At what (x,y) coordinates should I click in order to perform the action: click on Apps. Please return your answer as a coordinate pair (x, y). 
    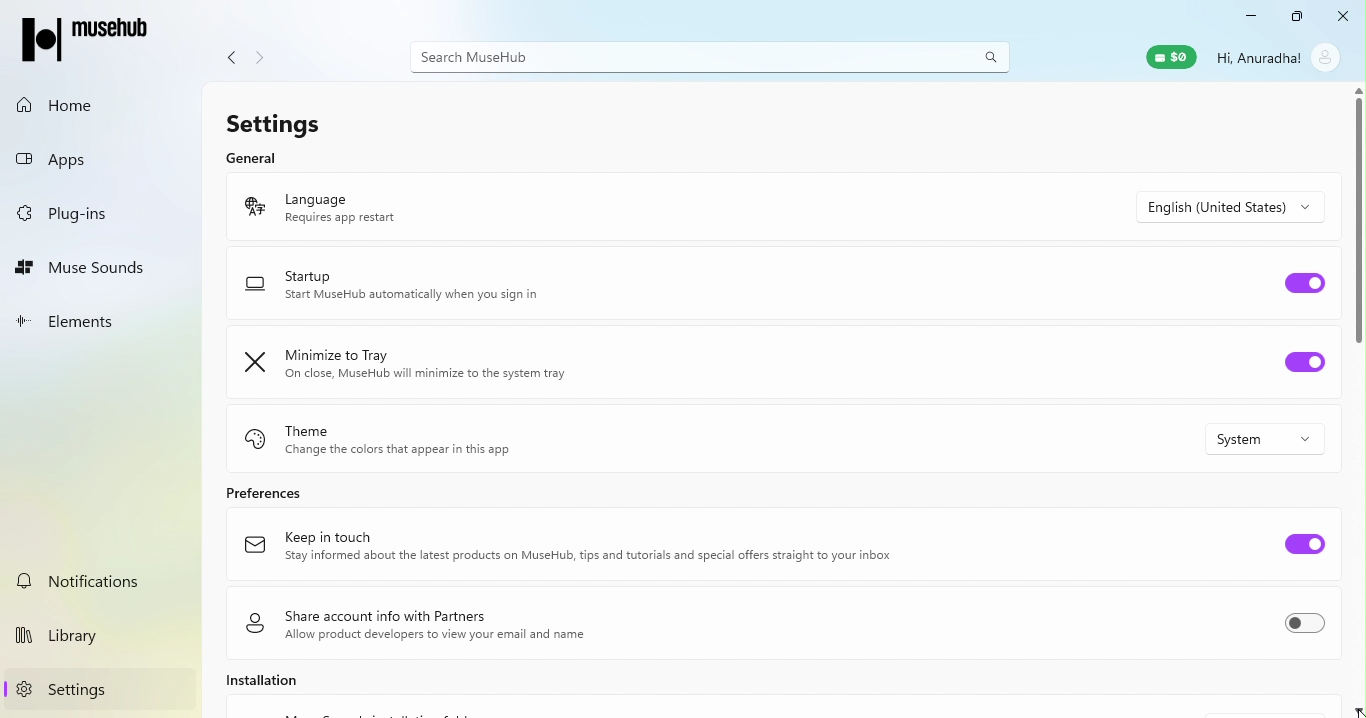
    Looking at the image, I should click on (83, 153).